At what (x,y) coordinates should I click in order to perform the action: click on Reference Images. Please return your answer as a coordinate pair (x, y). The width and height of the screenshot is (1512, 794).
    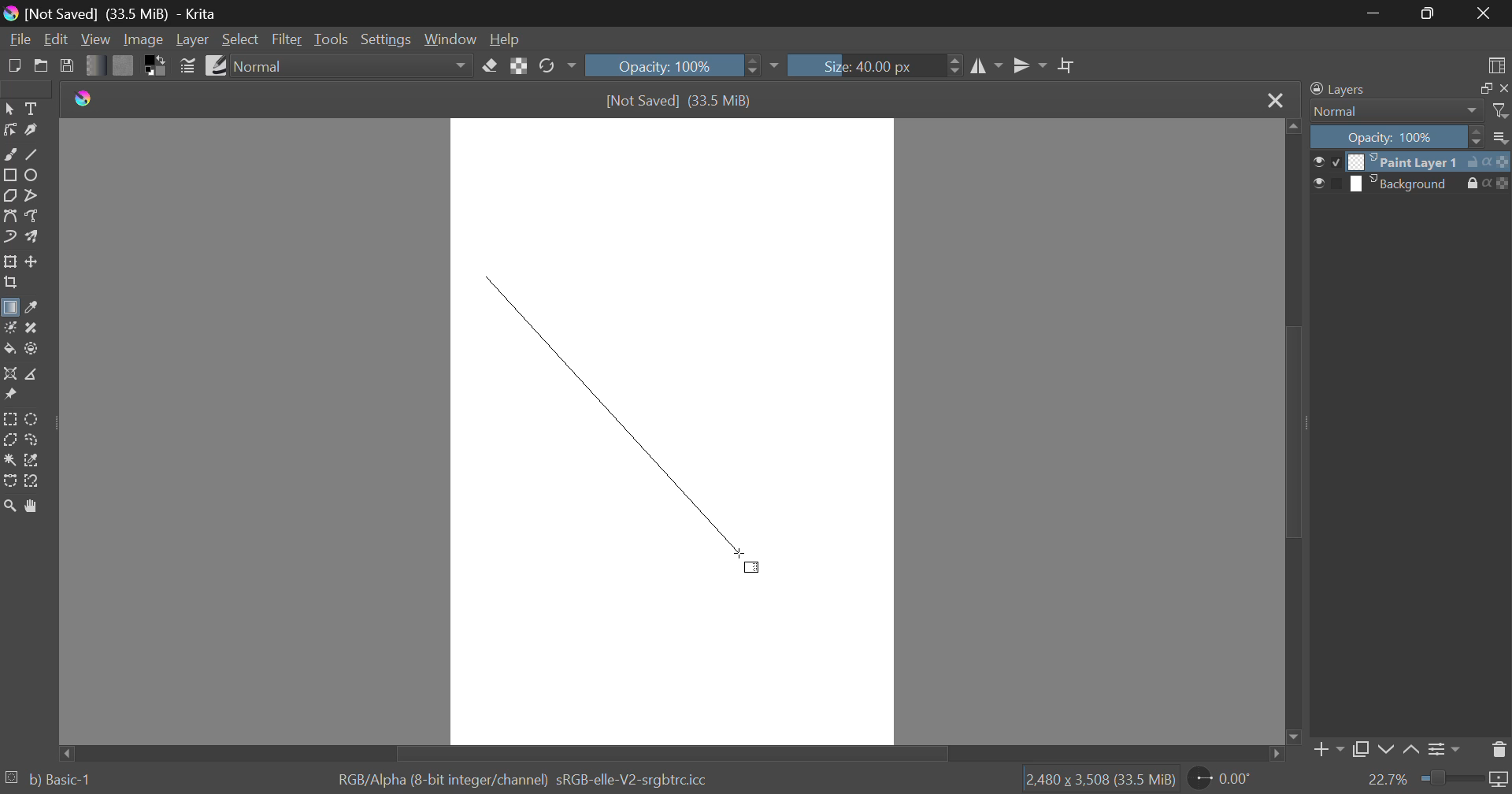
    Looking at the image, I should click on (9, 397).